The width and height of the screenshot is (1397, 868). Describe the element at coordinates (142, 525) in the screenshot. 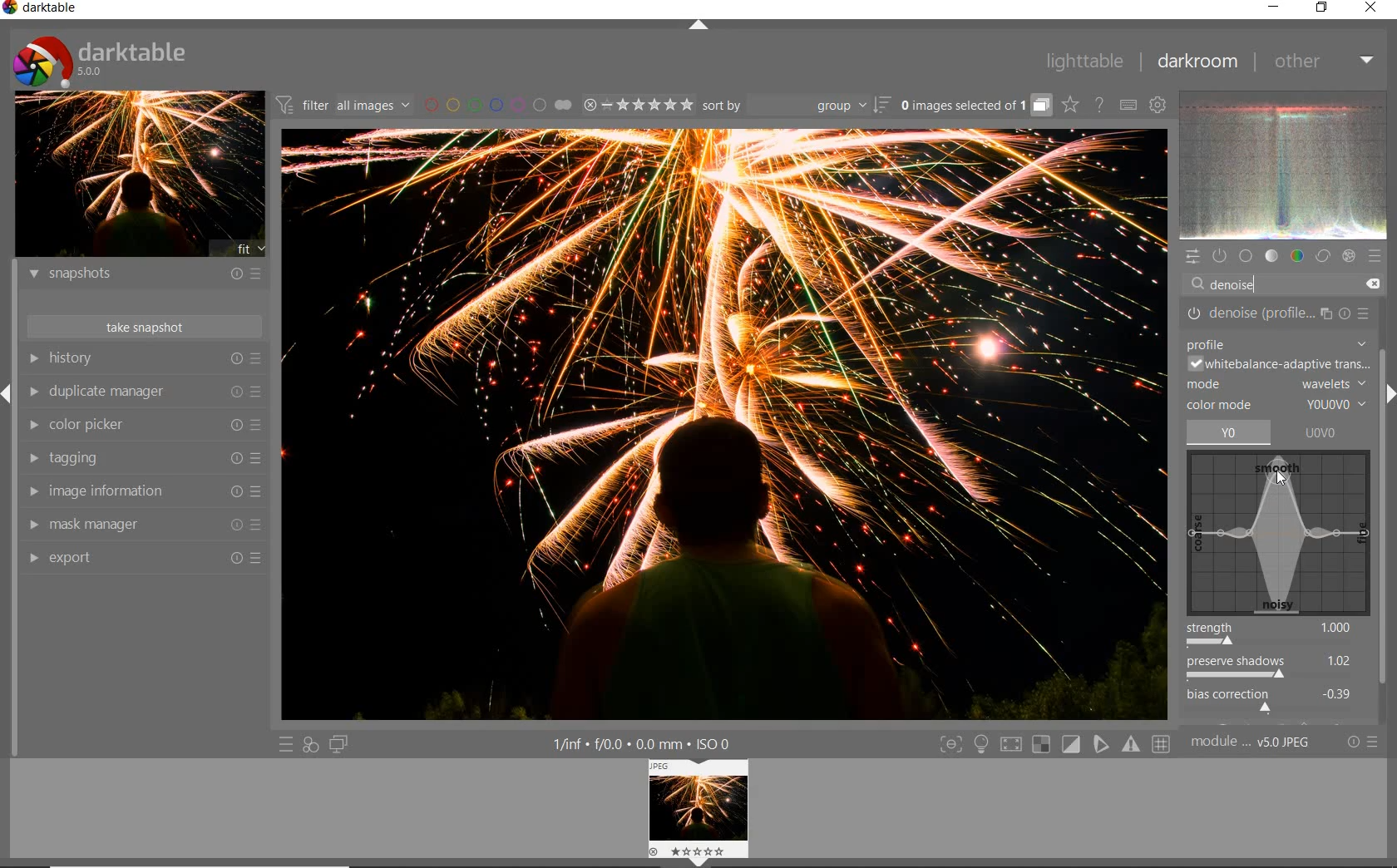

I see `mask manager` at that location.